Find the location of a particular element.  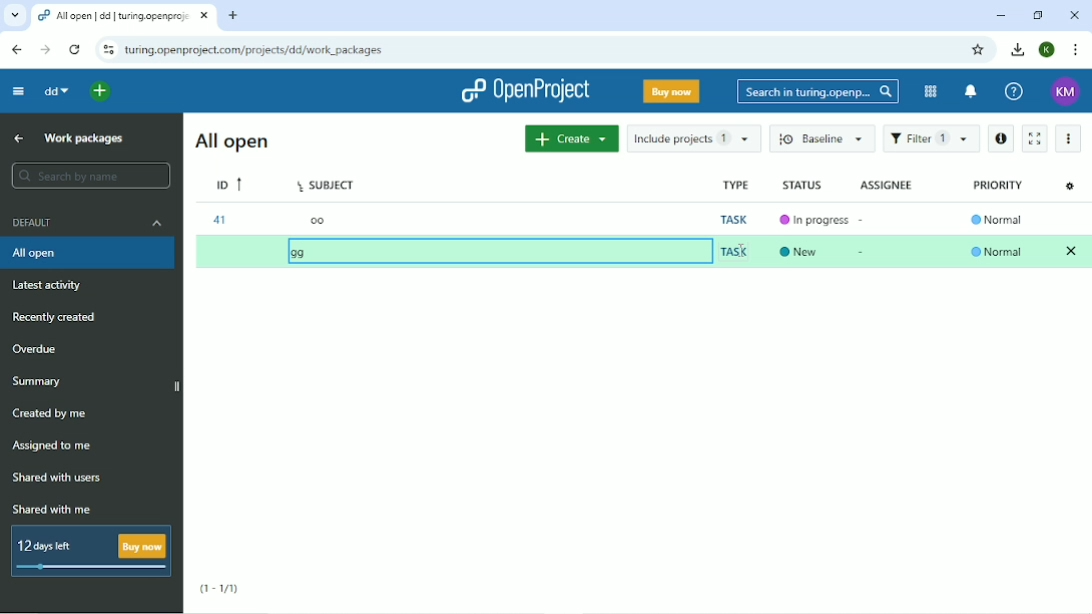

Subject is located at coordinates (326, 186).